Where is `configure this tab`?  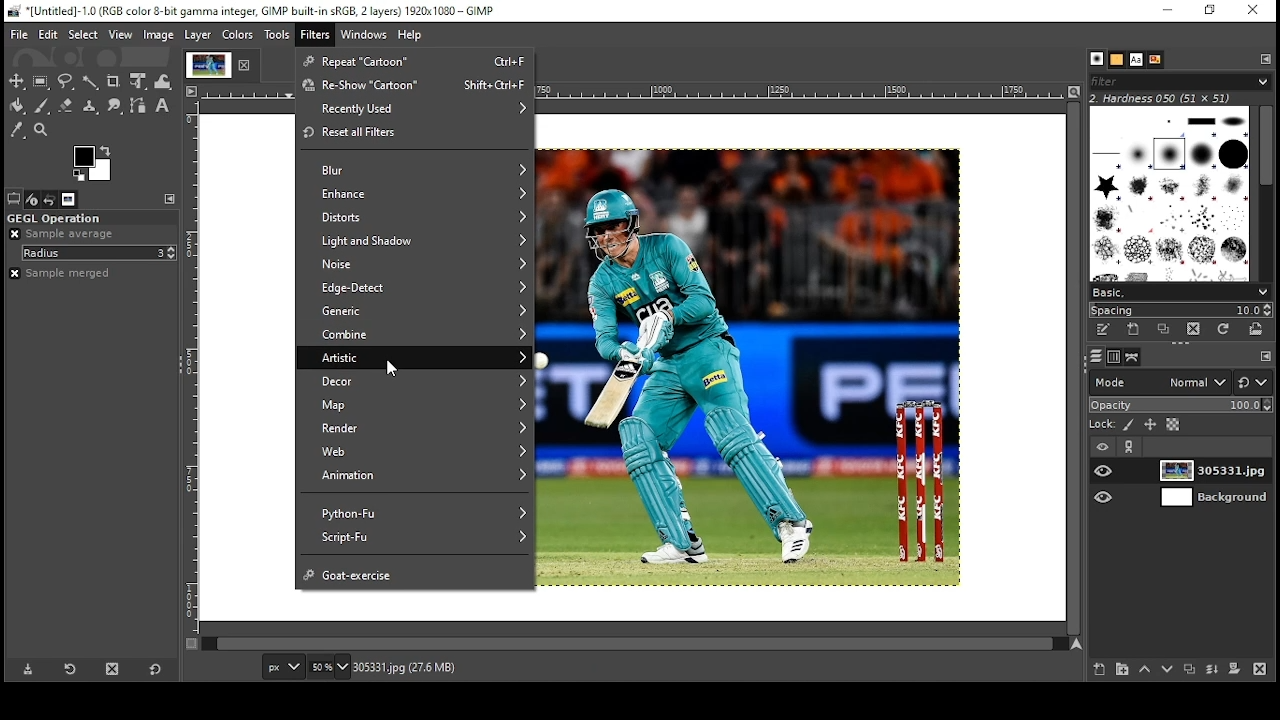
configure this tab is located at coordinates (1263, 59).